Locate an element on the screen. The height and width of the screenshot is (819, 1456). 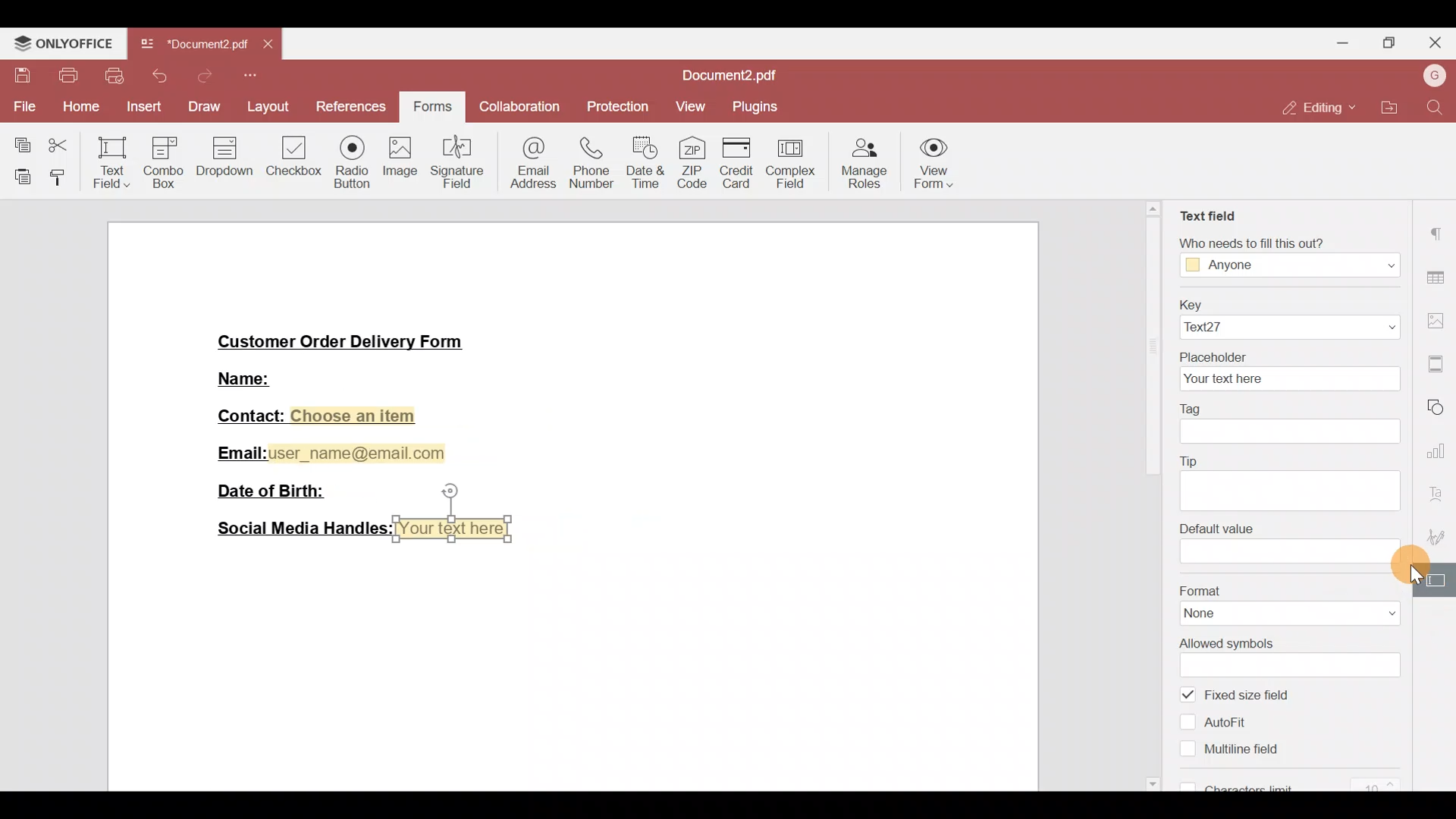
Minimize is located at coordinates (1343, 42).